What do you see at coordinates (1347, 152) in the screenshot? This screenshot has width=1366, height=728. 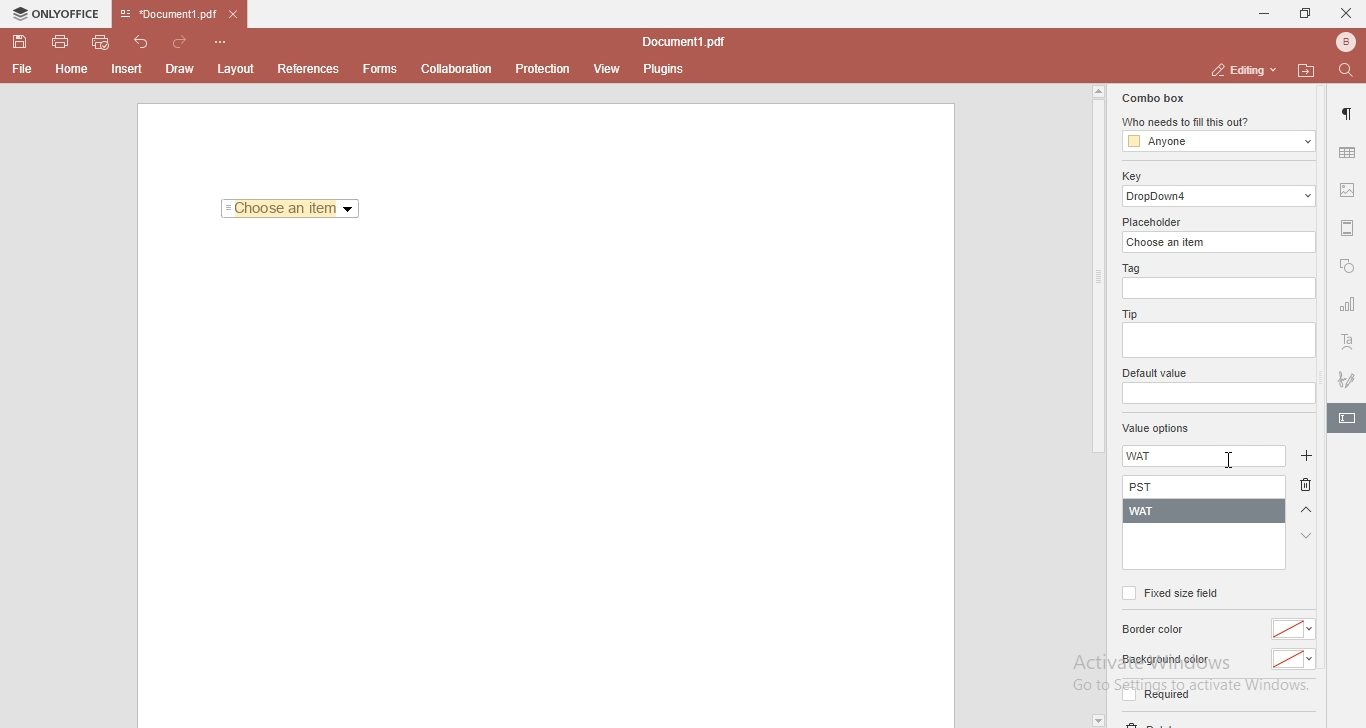 I see `table` at bounding box center [1347, 152].